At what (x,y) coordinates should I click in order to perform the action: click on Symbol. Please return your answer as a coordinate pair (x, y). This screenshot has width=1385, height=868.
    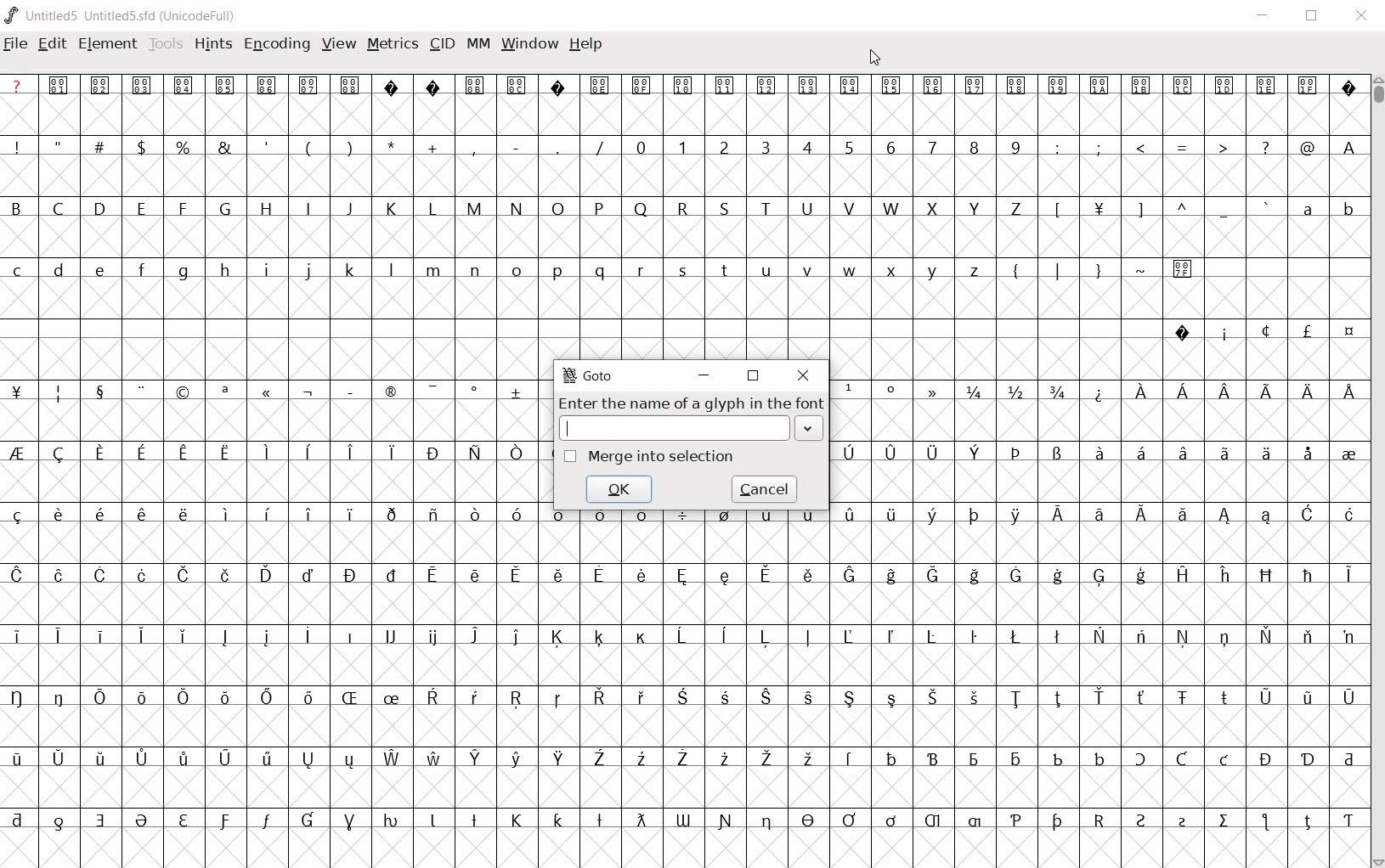
    Looking at the image, I should click on (933, 758).